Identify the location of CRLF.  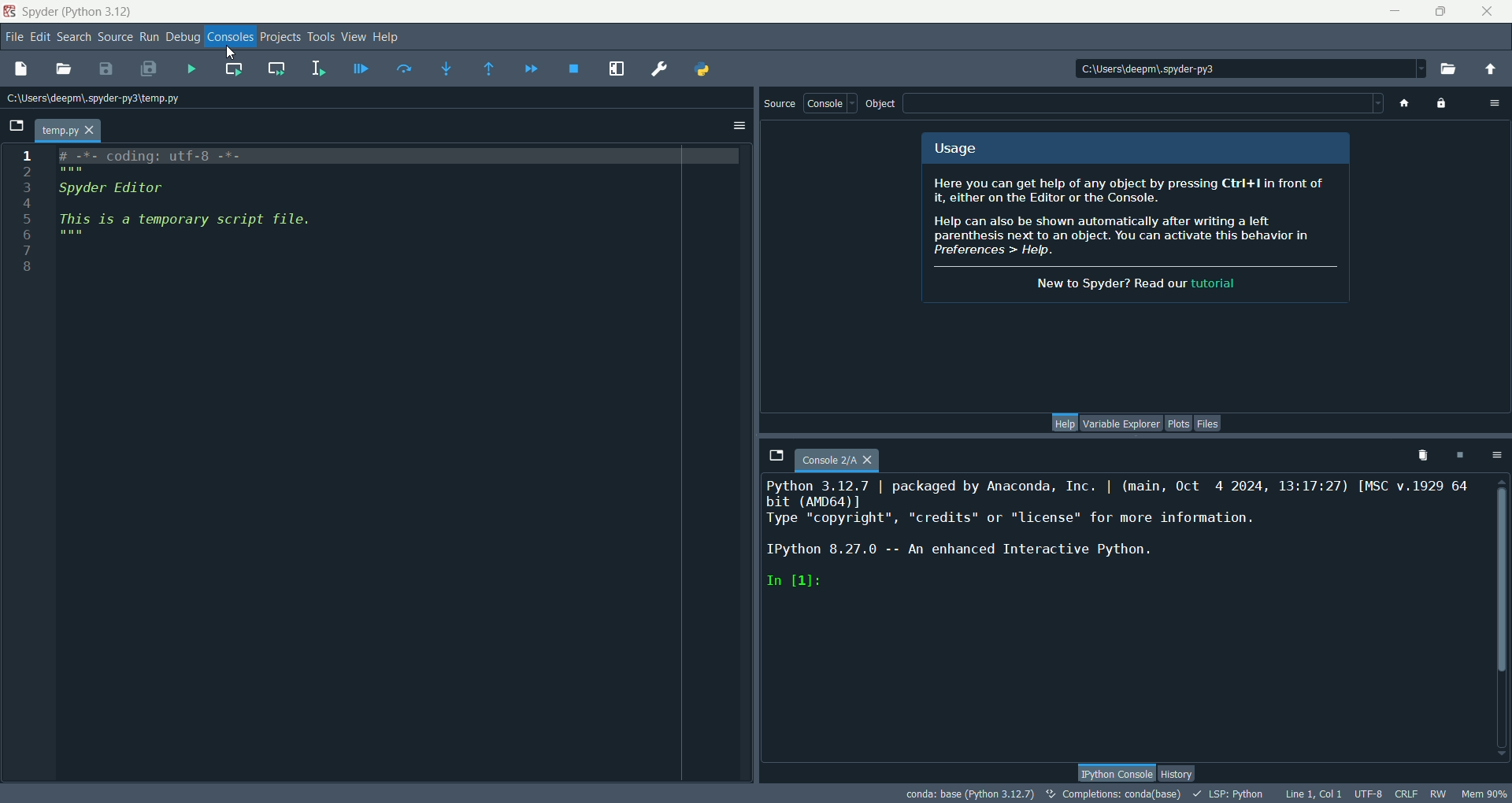
(1407, 794).